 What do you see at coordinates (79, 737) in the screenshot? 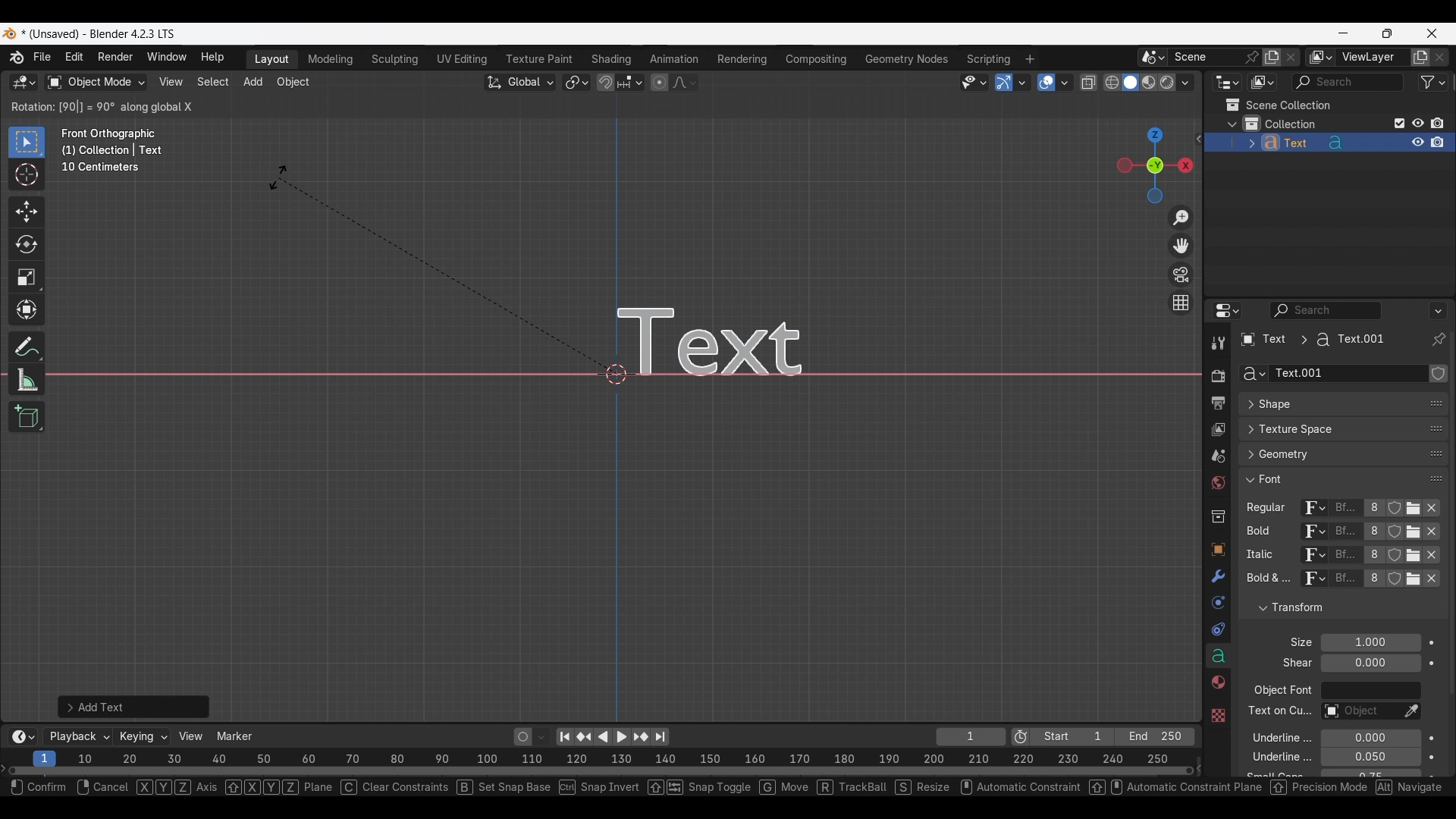
I see `Playback` at bounding box center [79, 737].